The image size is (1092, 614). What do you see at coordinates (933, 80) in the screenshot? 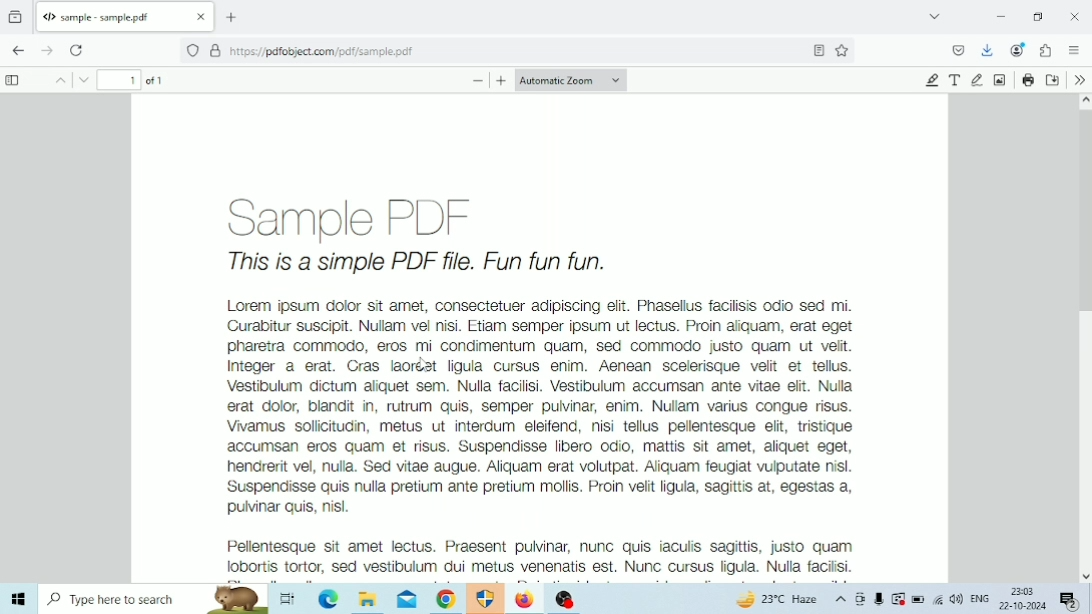
I see `Highlight` at bounding box center [933, 80].